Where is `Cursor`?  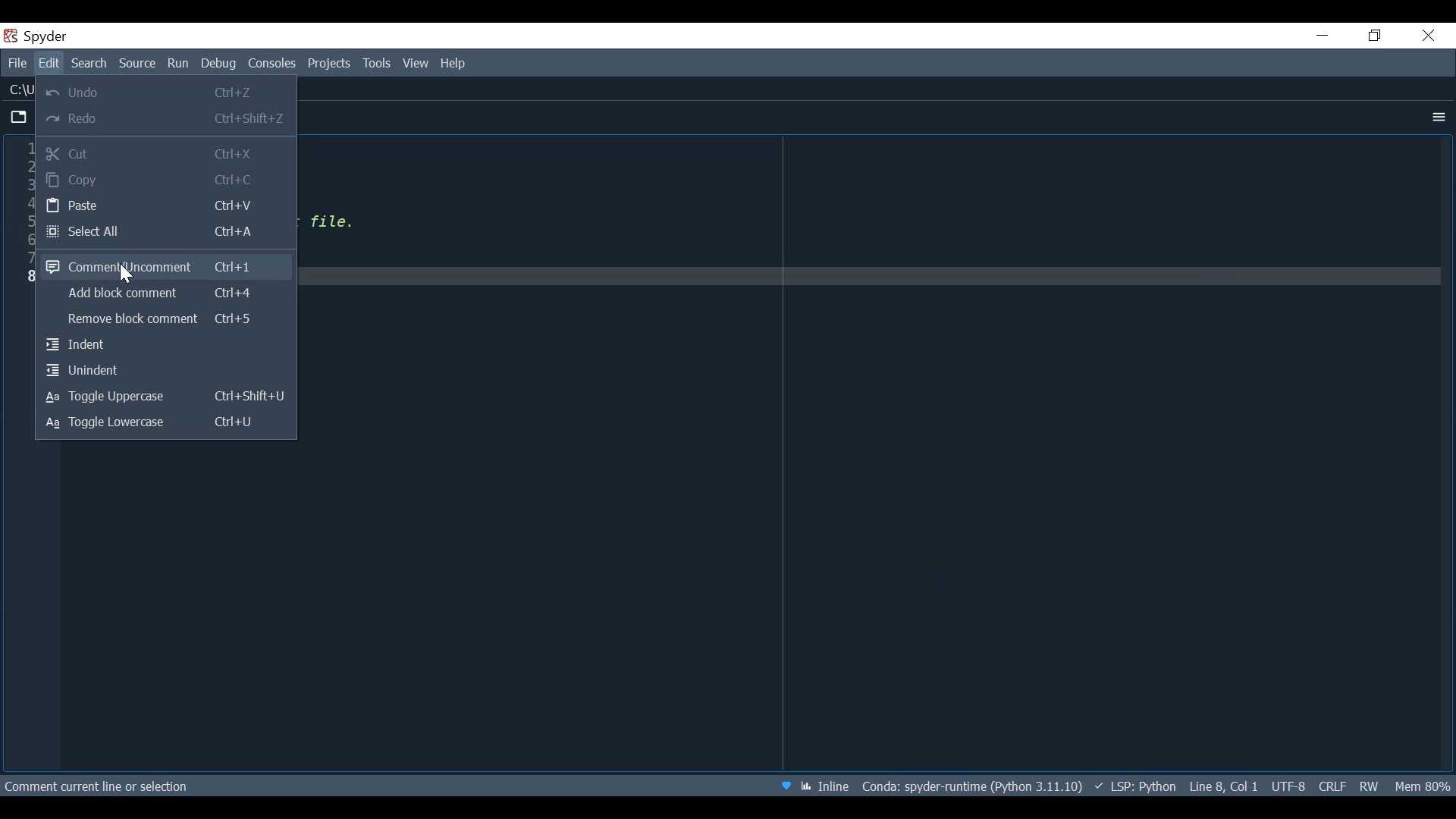
Cursor is located at coordinates (130, 275).